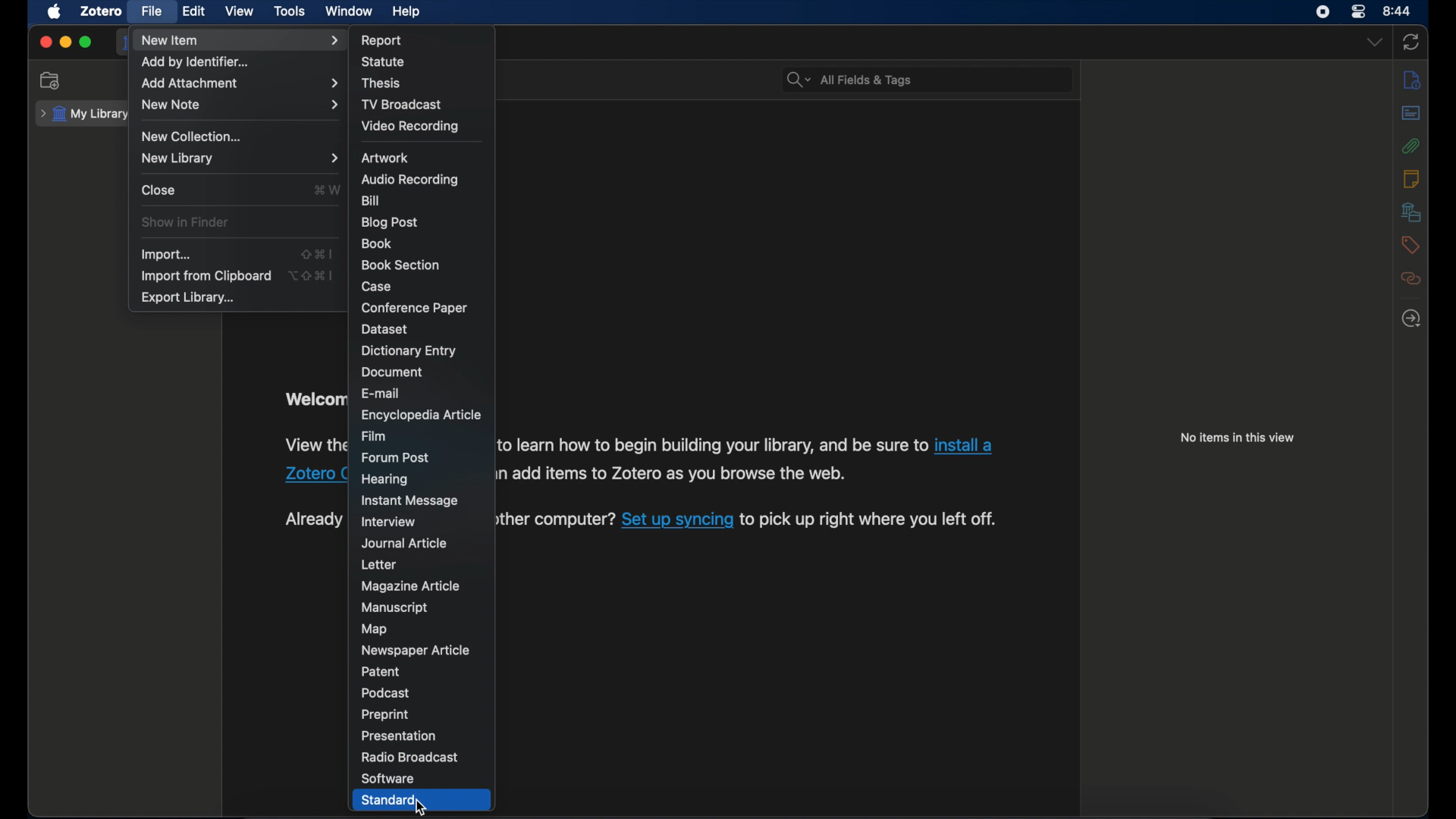 This screenshot has width=1456, height=819. Describe the element at coordinates (1409, 178) in the screenshot. I see `notes` at that location.